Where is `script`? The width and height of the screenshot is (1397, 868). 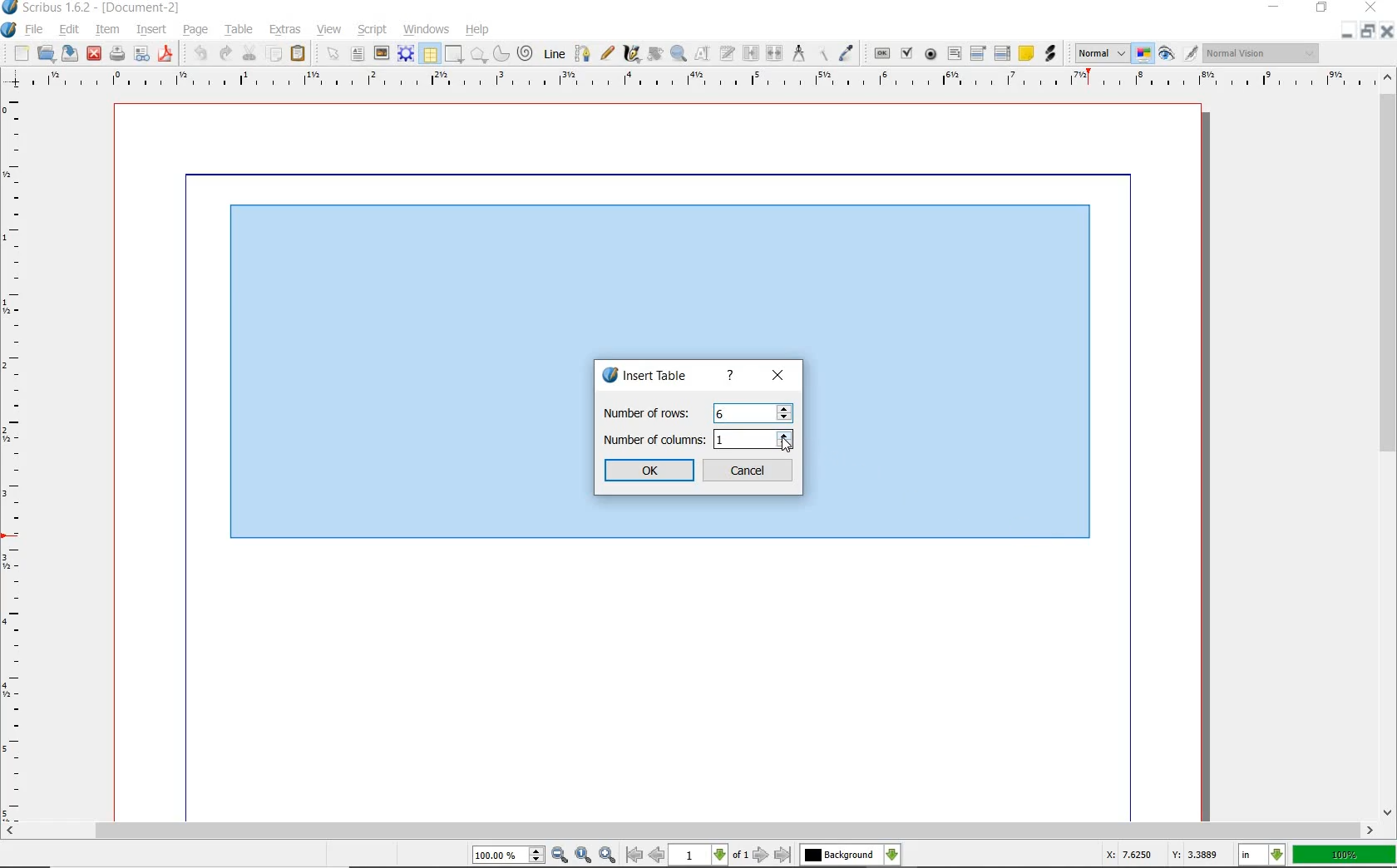 script is located at coordinates (373, 31).